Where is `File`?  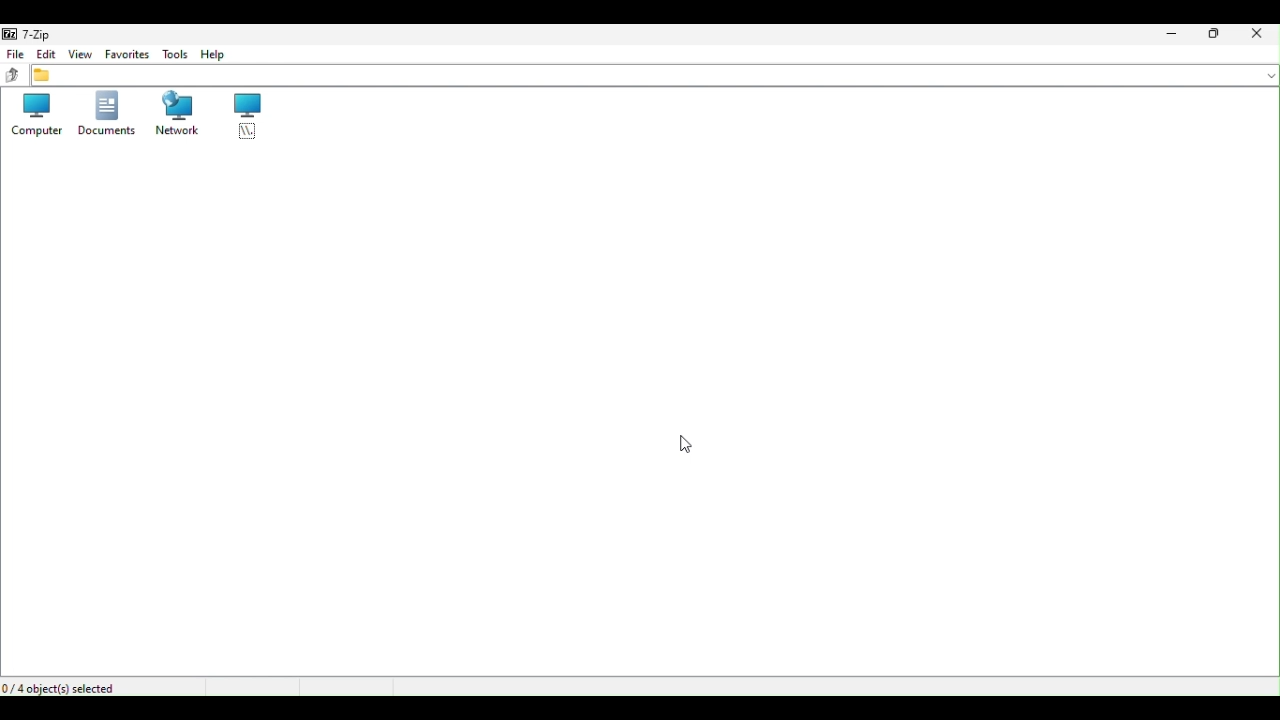
File is located at coordinates (15, 53).